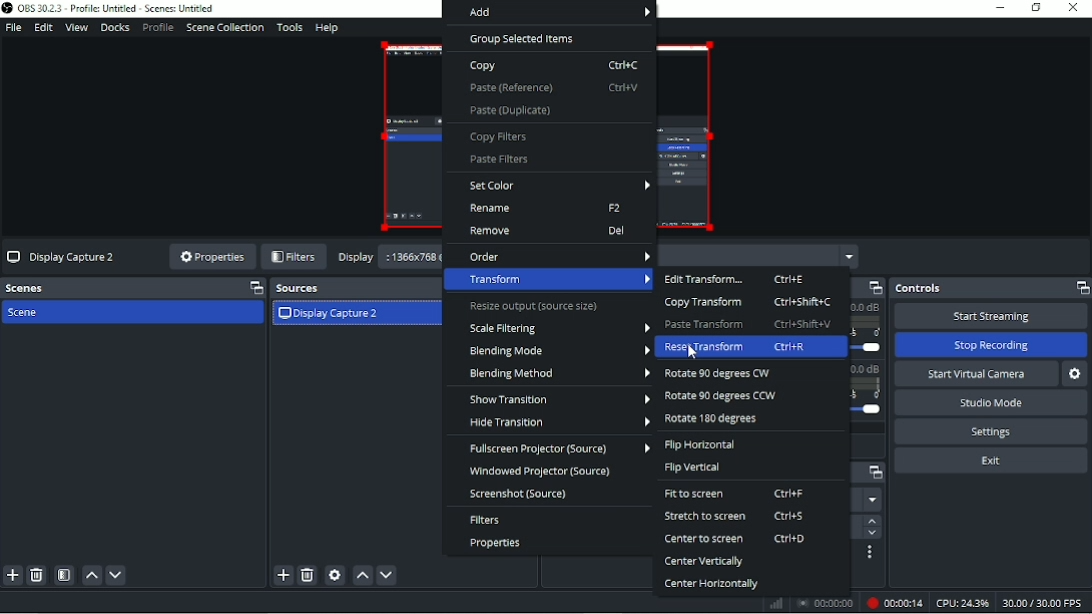 The height and width of the screenshot is (614, 1092). Describe the element at coordinates (720, 397) in the screenshot. I see `Rotate 90 degress CCW` at that location.